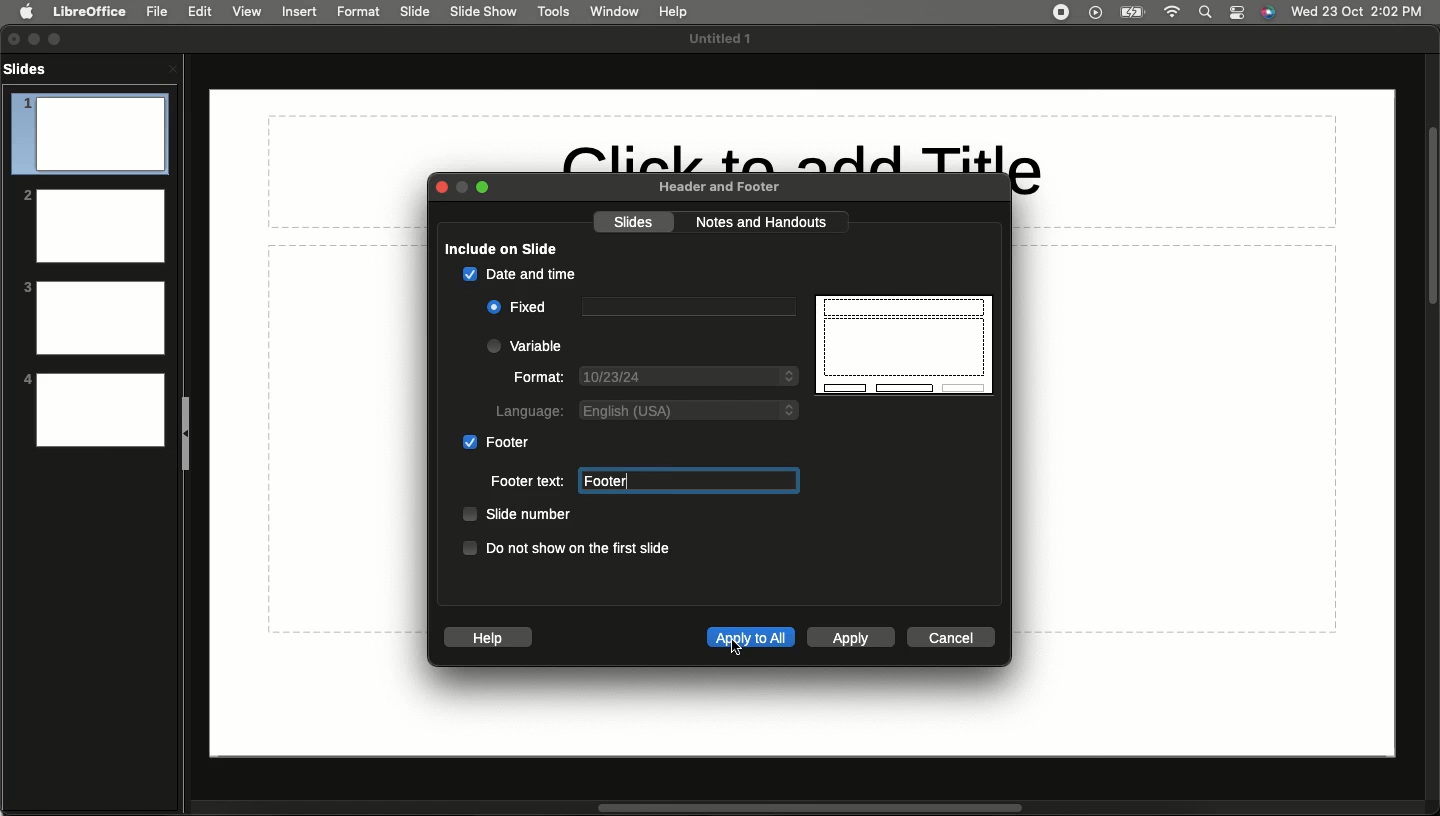 Image resolution: width=1440 pixels, height=816 pixels. What do you see at coordinates (518, 274) in the screenshot?
I see `Date and time` at bounding box center [518, 274].